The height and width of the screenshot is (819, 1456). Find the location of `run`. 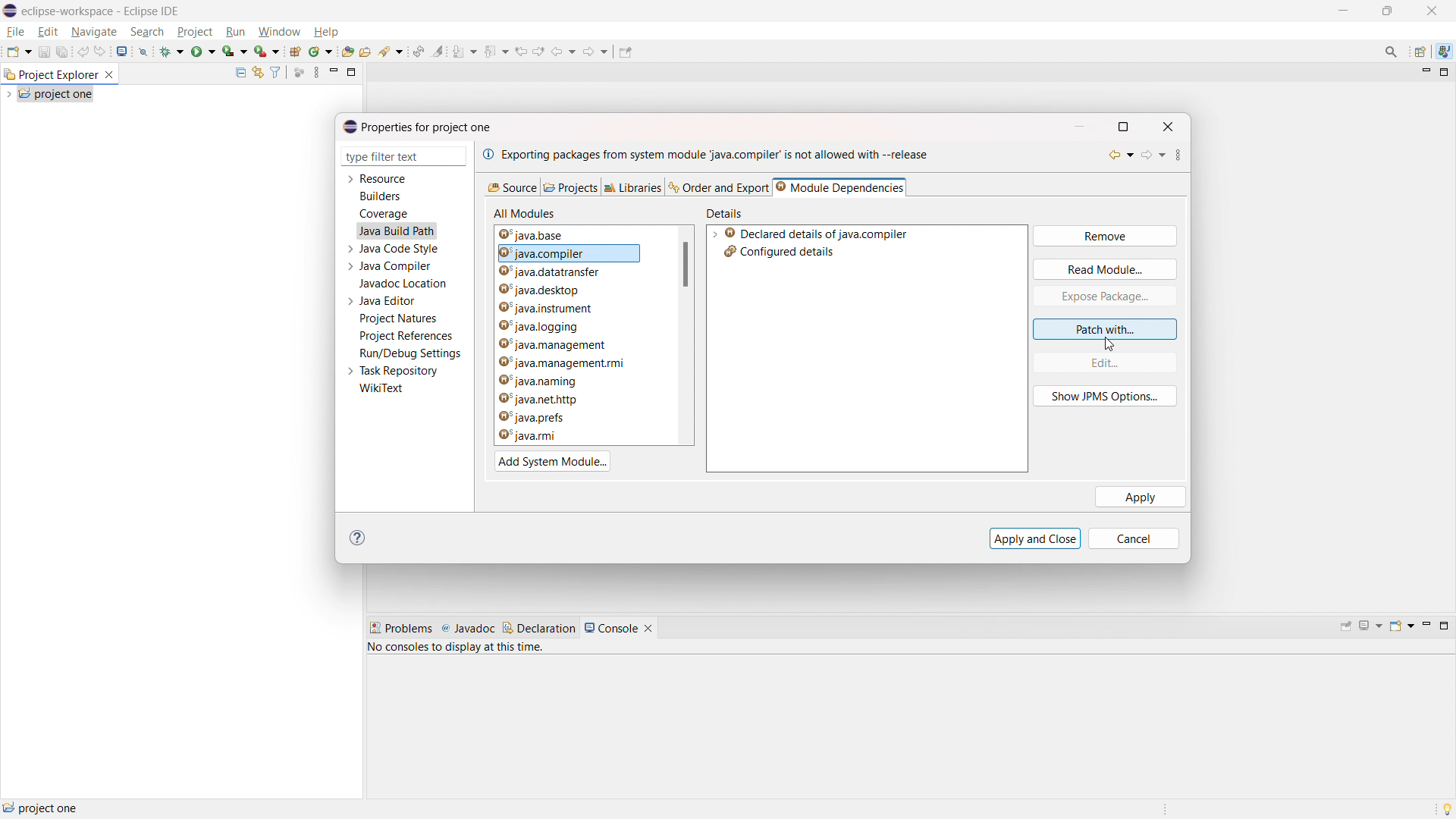

run is located at coordinates (203, 50).